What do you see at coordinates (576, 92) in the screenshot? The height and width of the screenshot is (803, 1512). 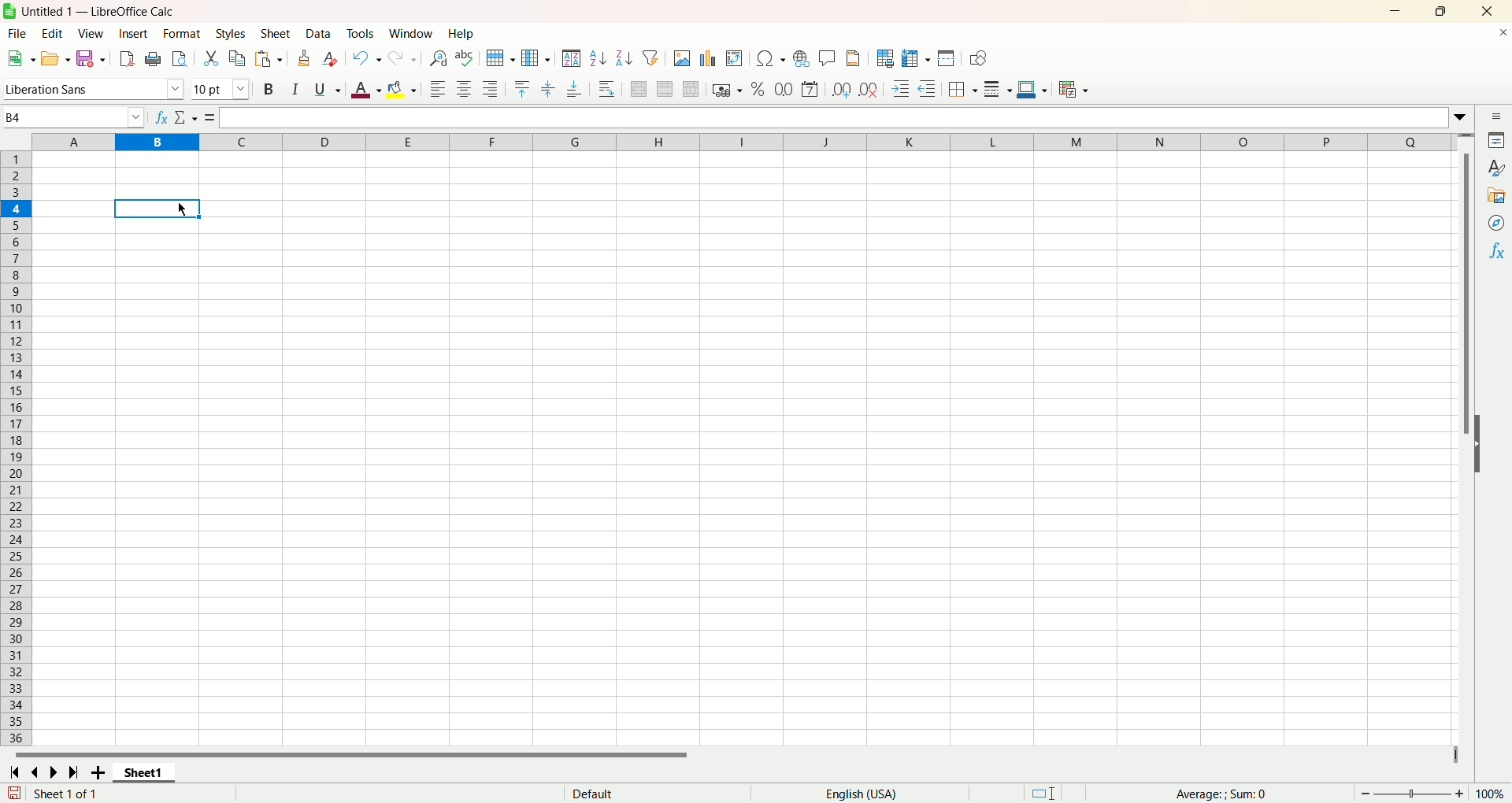 I see `align bottom` at bounding box center [576, 92].